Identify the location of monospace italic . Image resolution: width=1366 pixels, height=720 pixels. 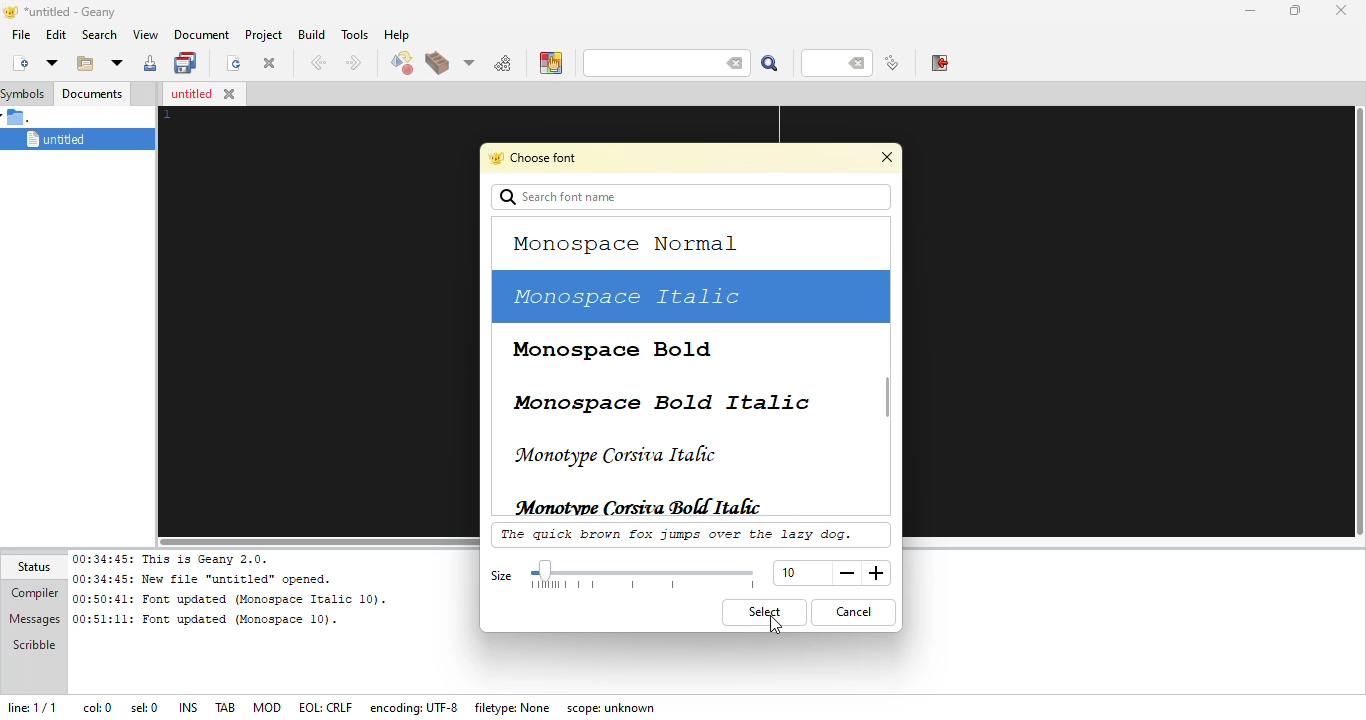
(626, 298).